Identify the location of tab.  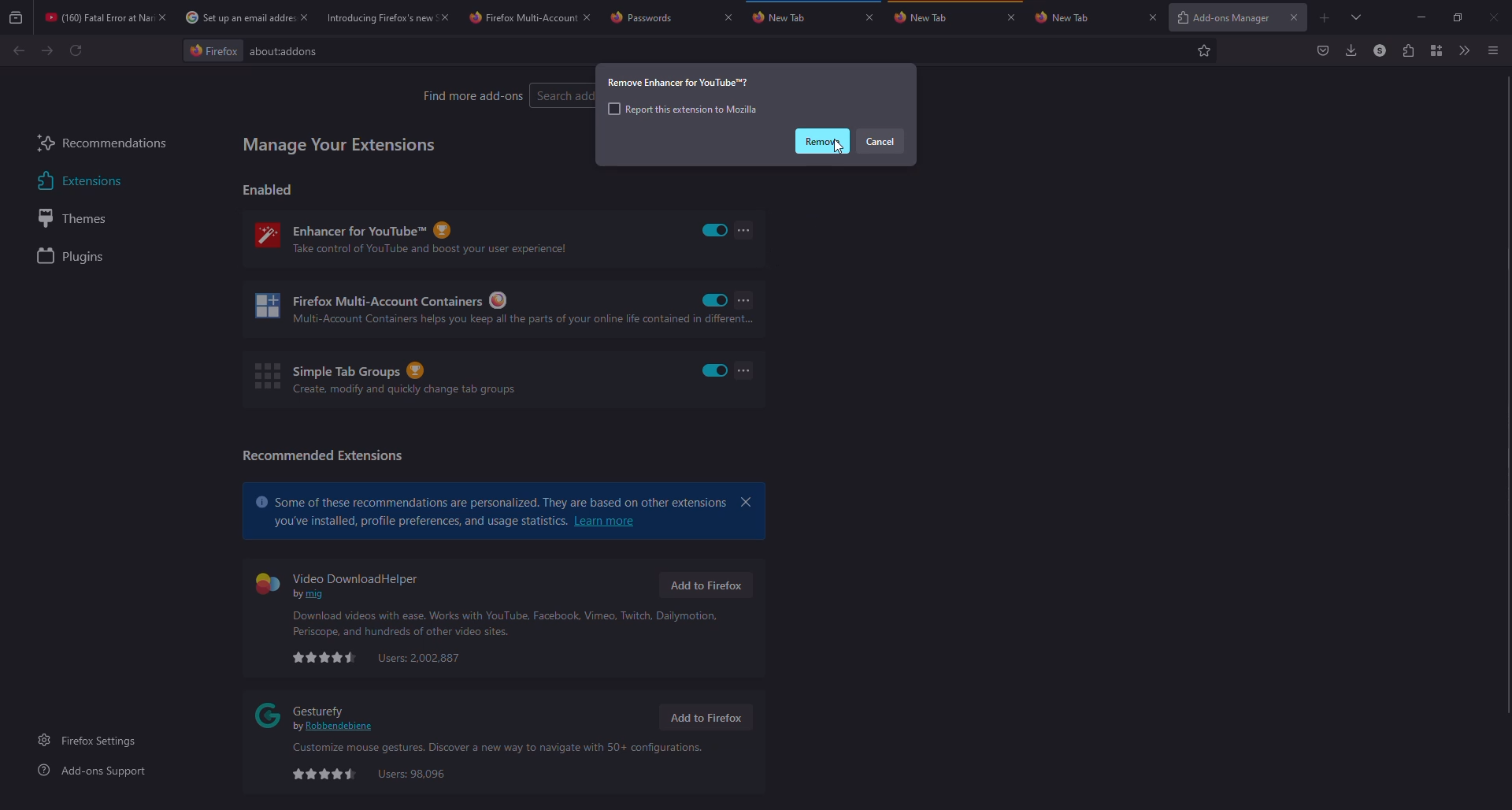
(1085, 17).